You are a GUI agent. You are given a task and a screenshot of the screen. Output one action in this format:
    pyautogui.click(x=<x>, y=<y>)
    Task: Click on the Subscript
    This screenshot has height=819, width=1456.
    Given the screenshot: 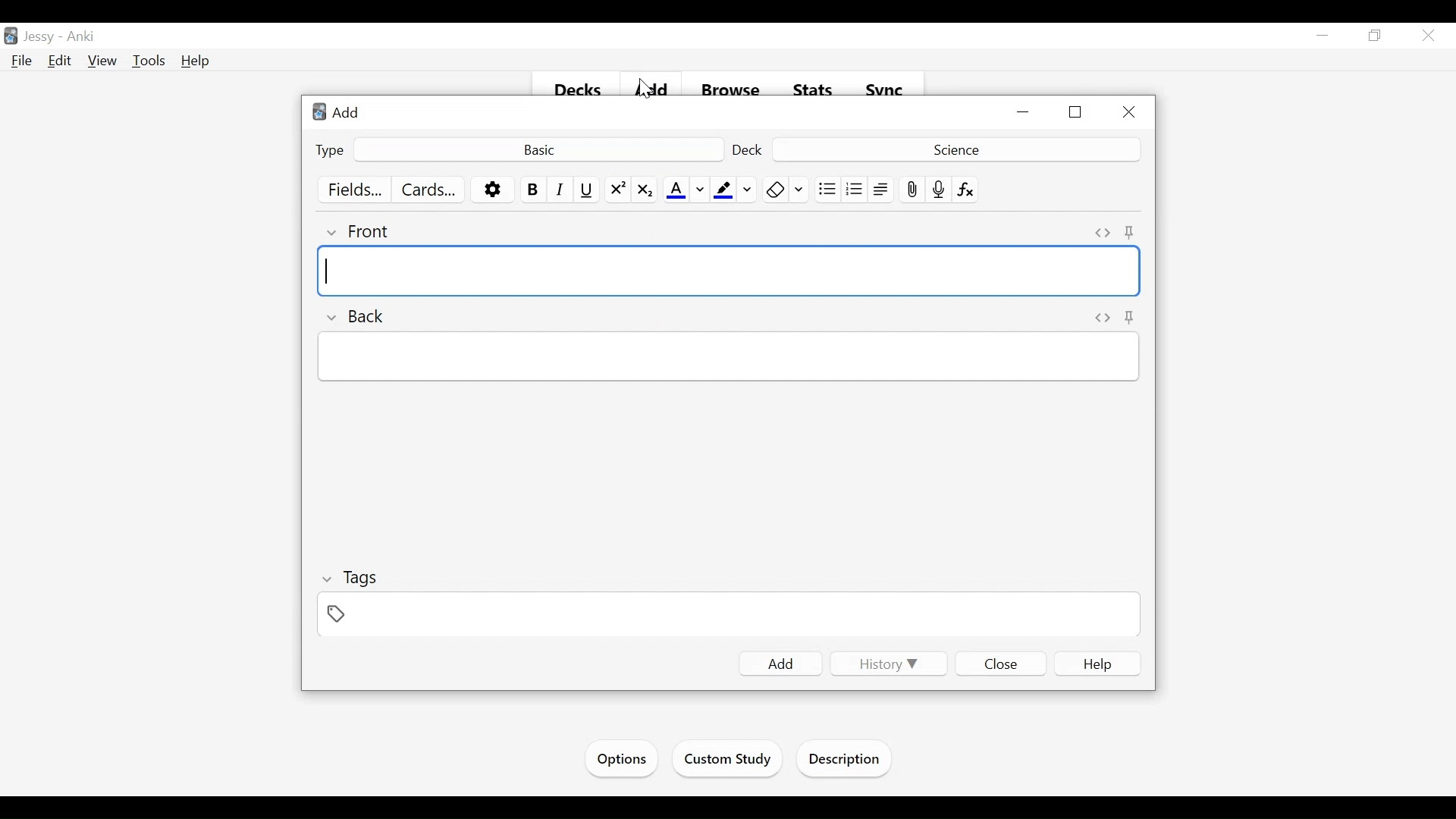 What is the action you would take?
    pyautogui.click(x=644, y=190)
    